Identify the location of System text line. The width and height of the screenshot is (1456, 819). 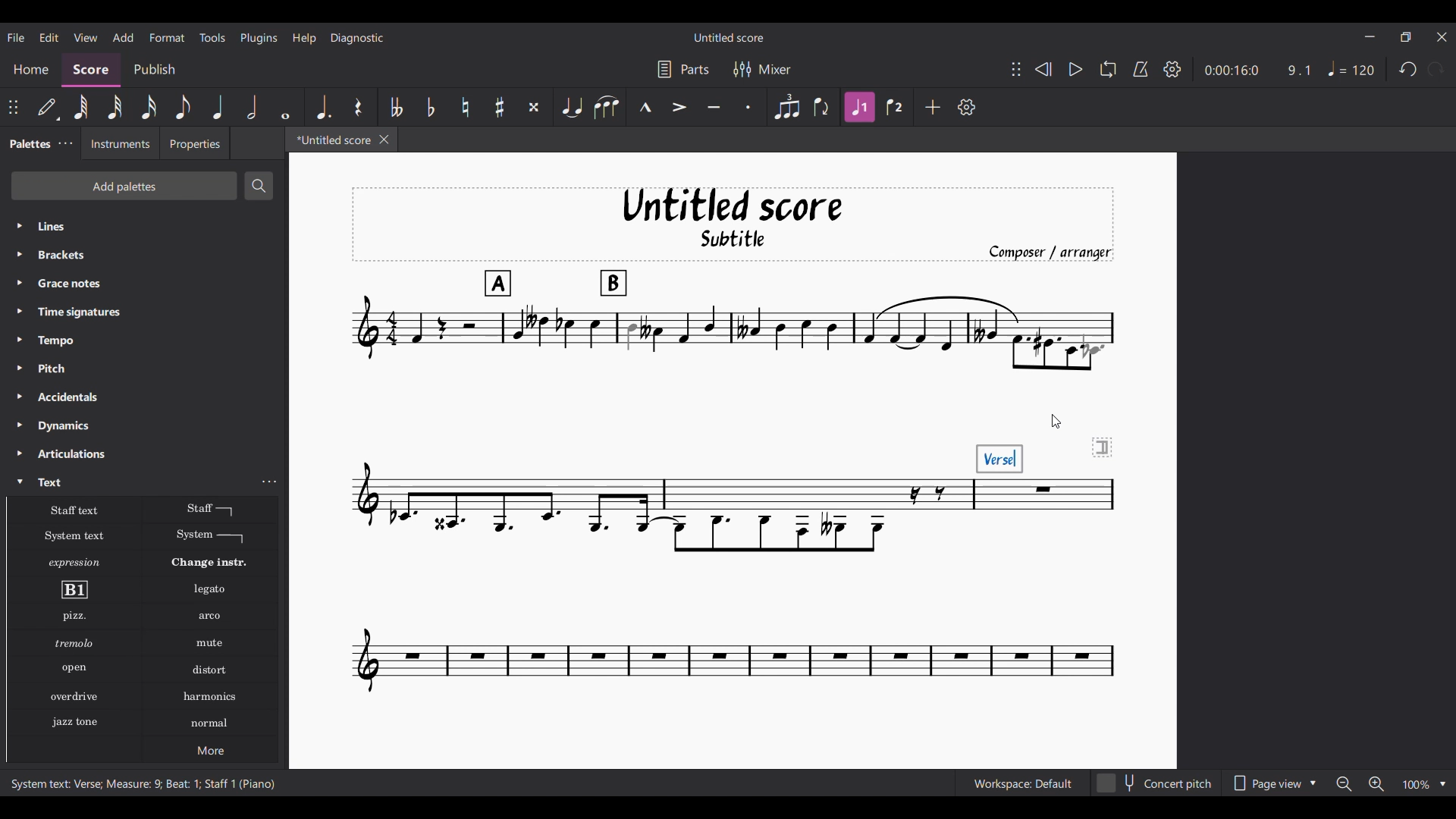
(210, 536).